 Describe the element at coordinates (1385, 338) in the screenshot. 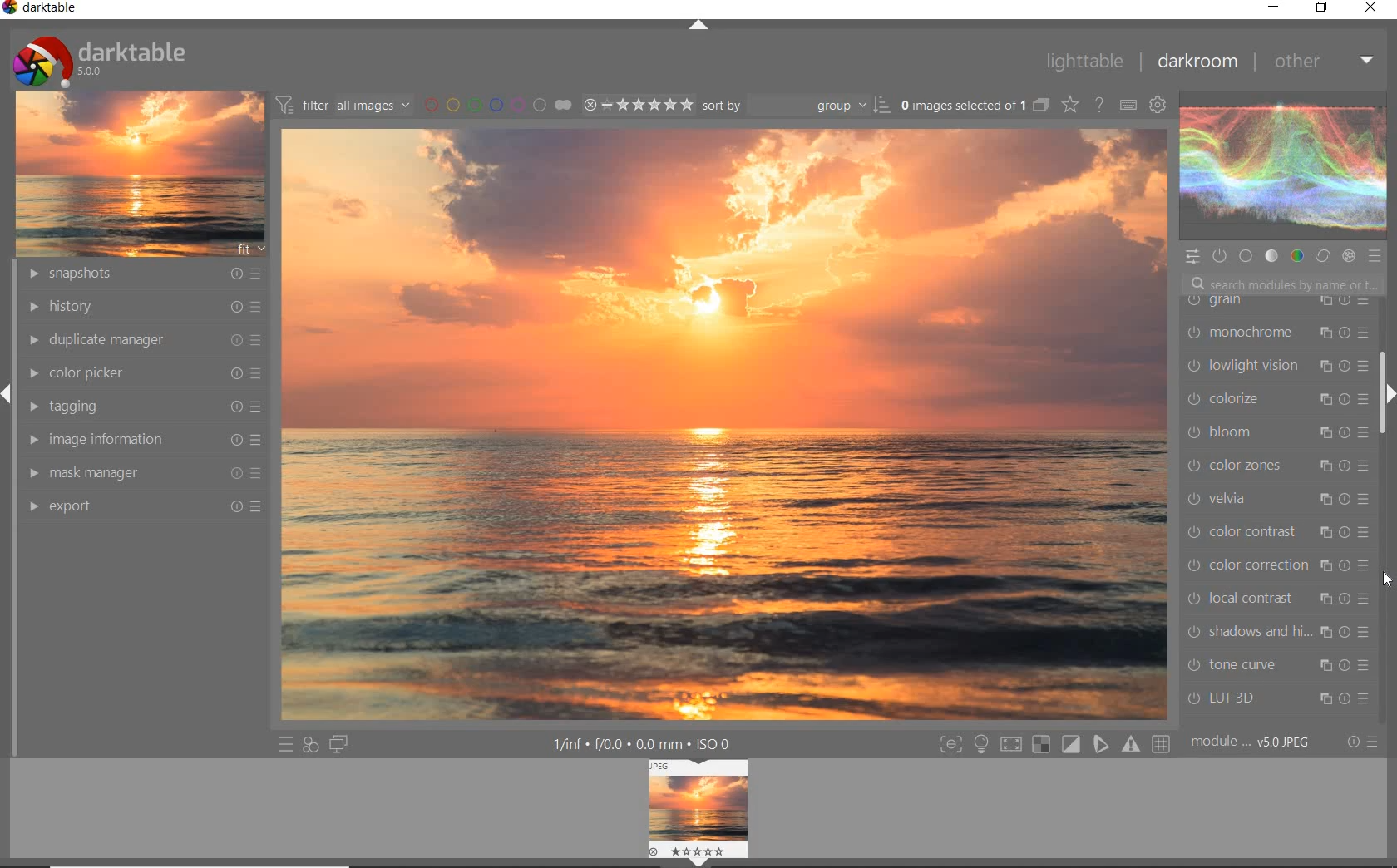

I see `SCROLLBAR` at that location.